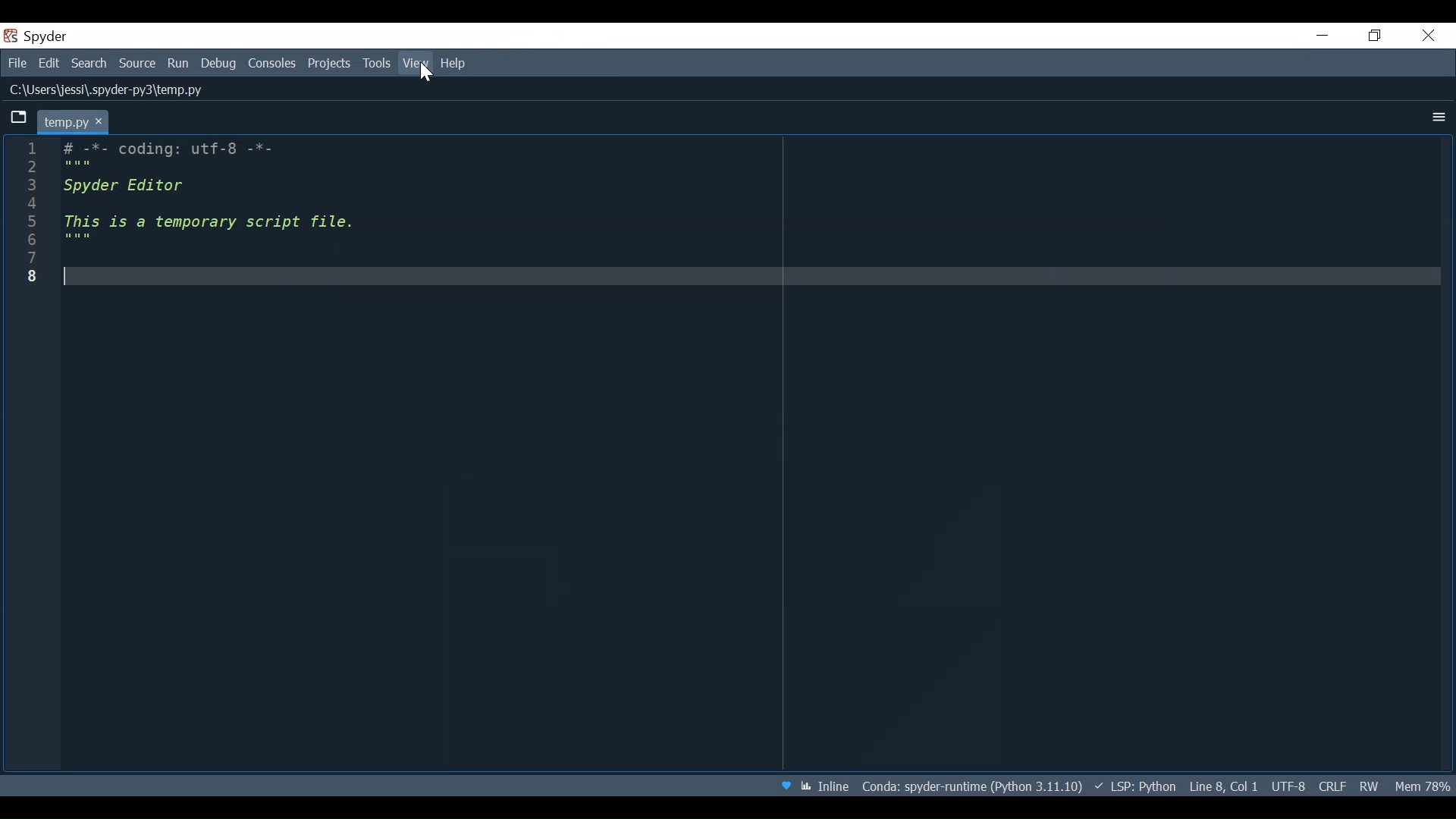  I want to click on Projects, so click(330, 64).